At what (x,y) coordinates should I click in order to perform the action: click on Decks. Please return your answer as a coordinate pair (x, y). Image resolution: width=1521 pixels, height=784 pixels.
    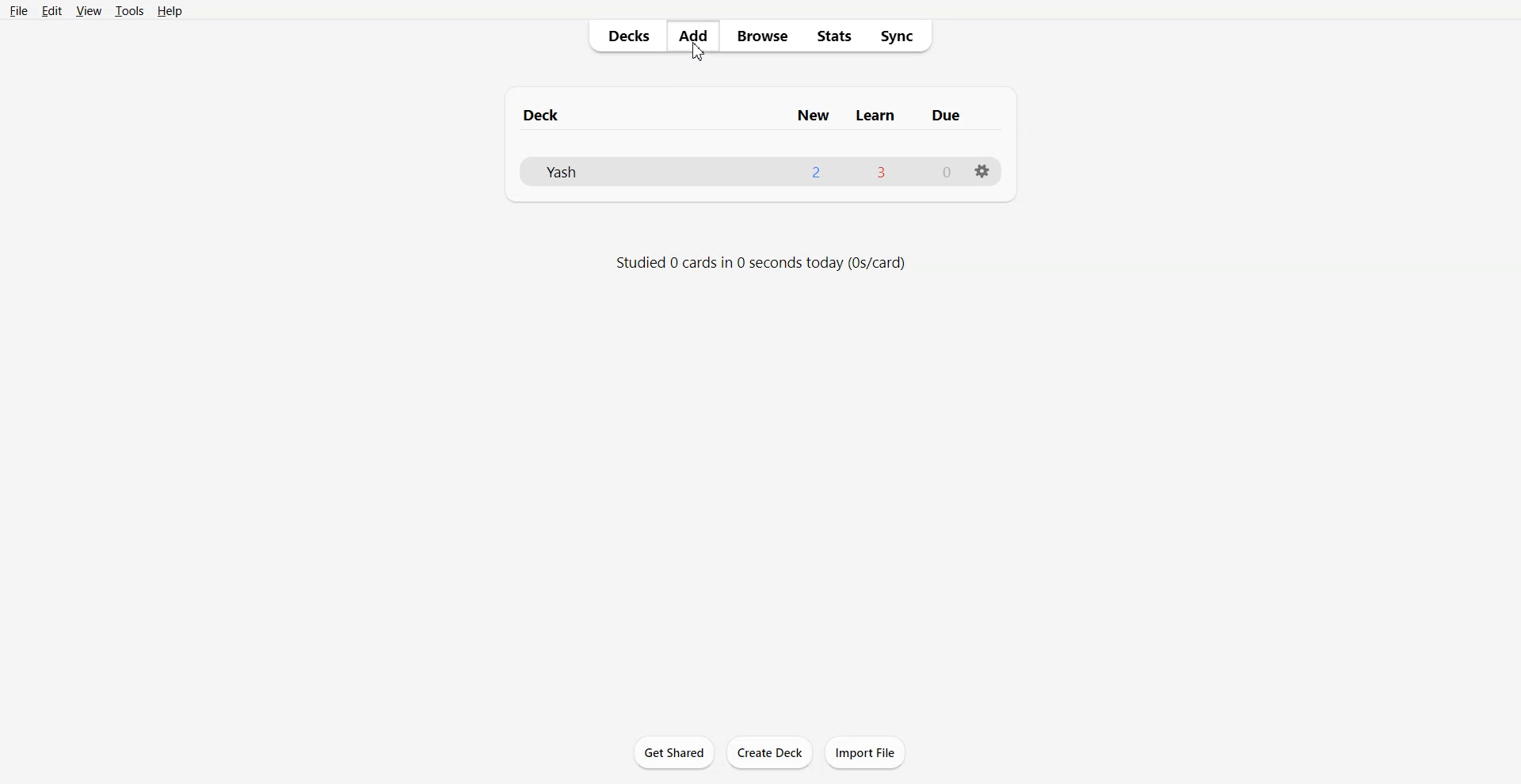
    Looking at the image, I should click on (623, 36).